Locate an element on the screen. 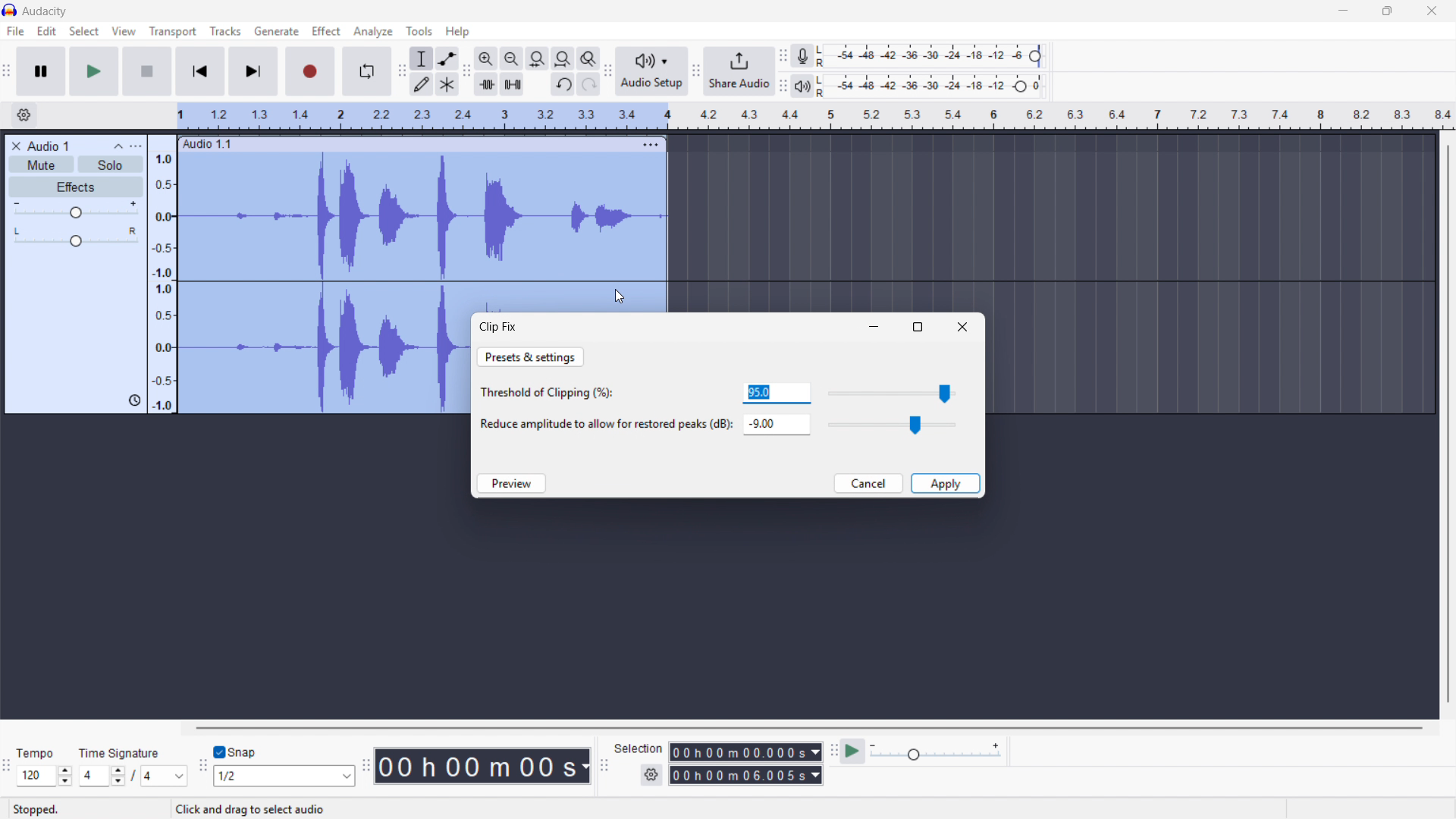  Close  is located at coordinates (962, 327).